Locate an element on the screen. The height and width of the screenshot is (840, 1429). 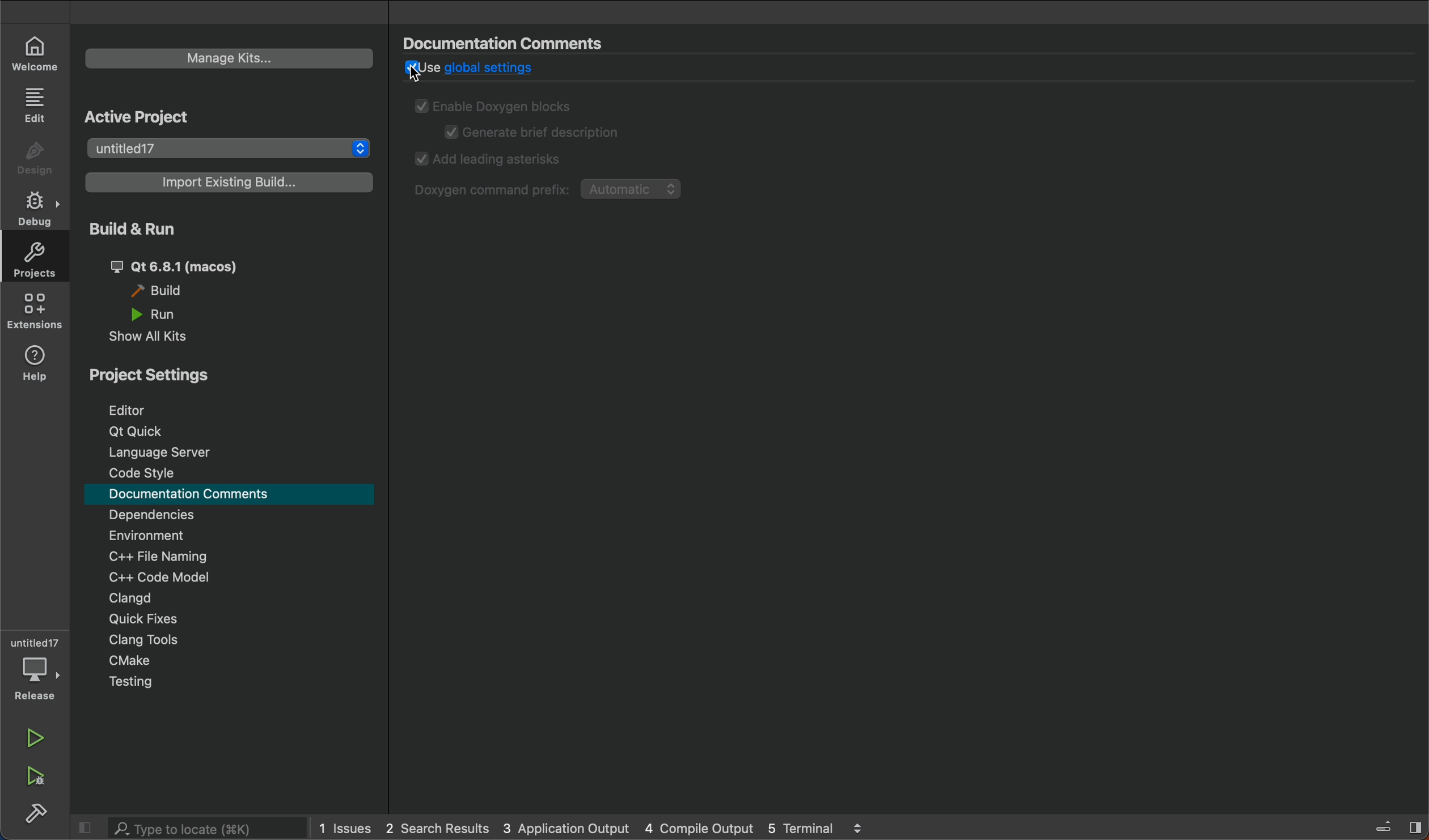
run is located at coordinates (35, 737).